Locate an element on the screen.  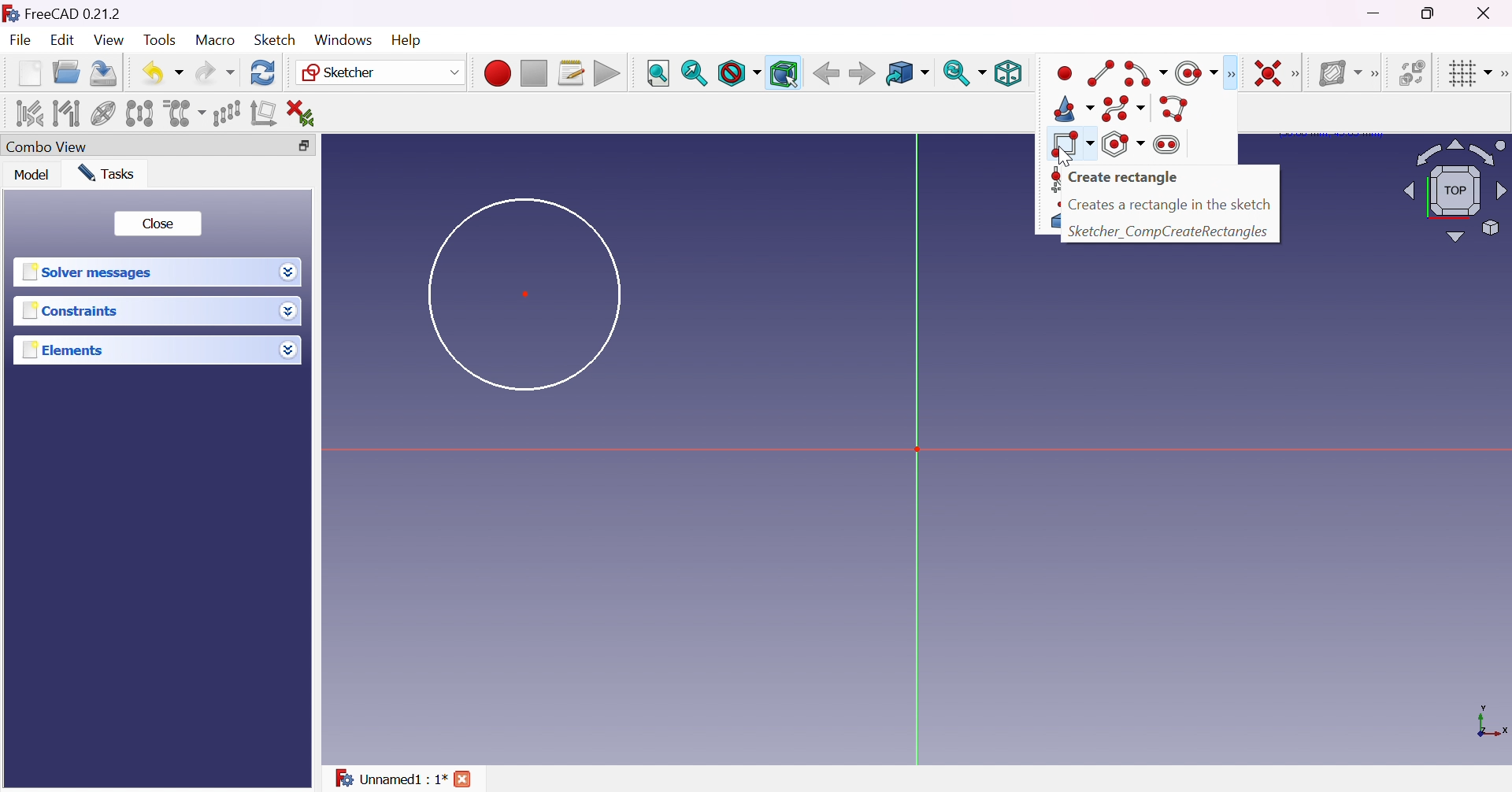
Fit all is located at coordinates (658, 74).